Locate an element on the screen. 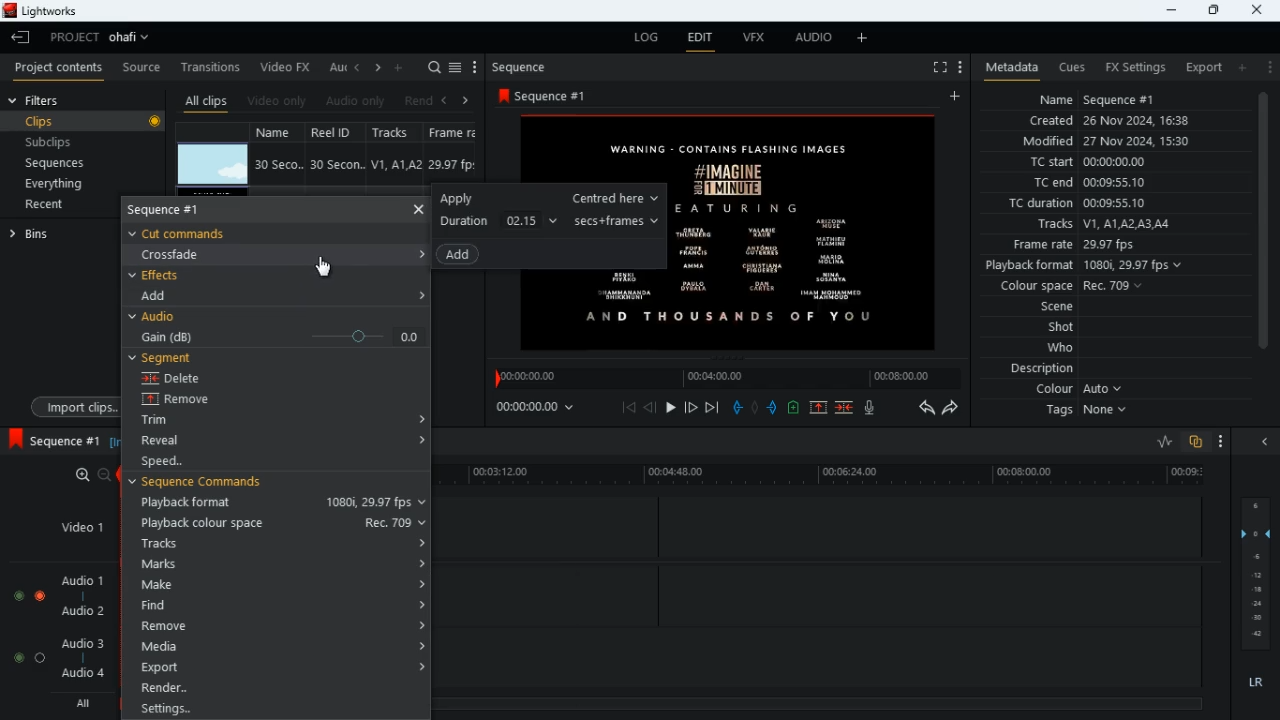  make is located at coordinates (278, 585).